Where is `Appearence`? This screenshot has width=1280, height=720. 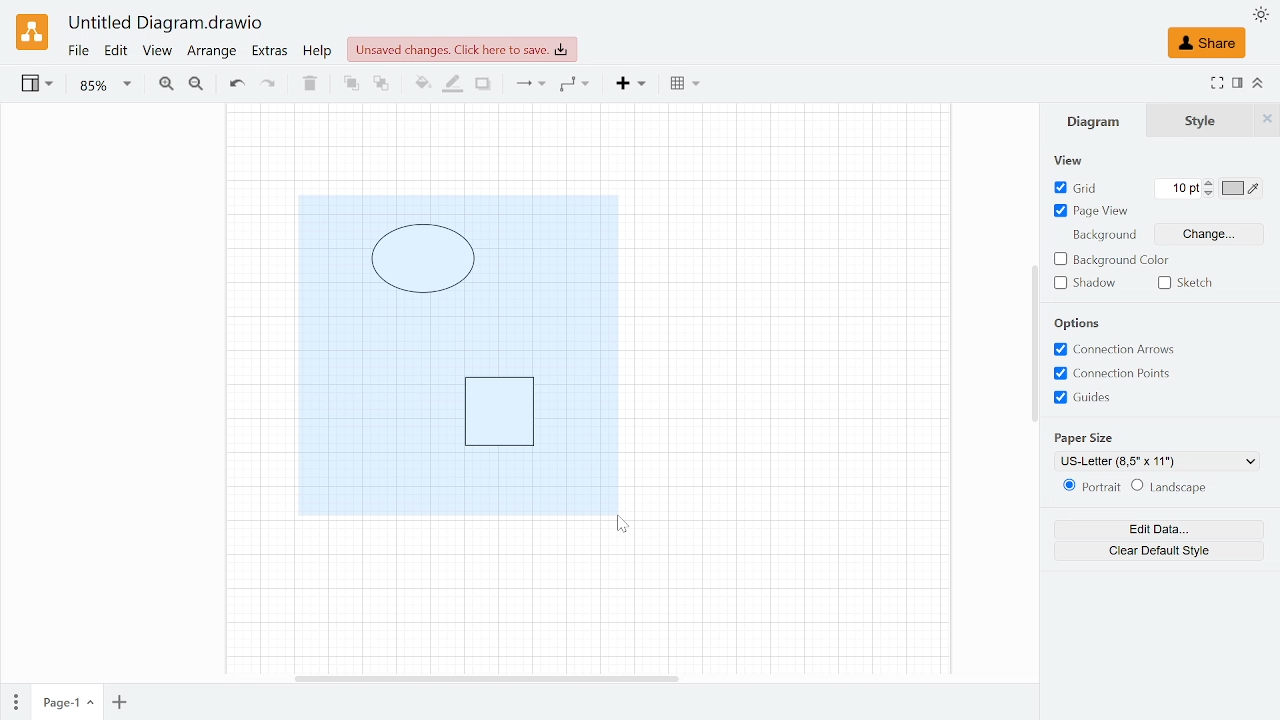 Appearence is located at coordinates (1260, 14).